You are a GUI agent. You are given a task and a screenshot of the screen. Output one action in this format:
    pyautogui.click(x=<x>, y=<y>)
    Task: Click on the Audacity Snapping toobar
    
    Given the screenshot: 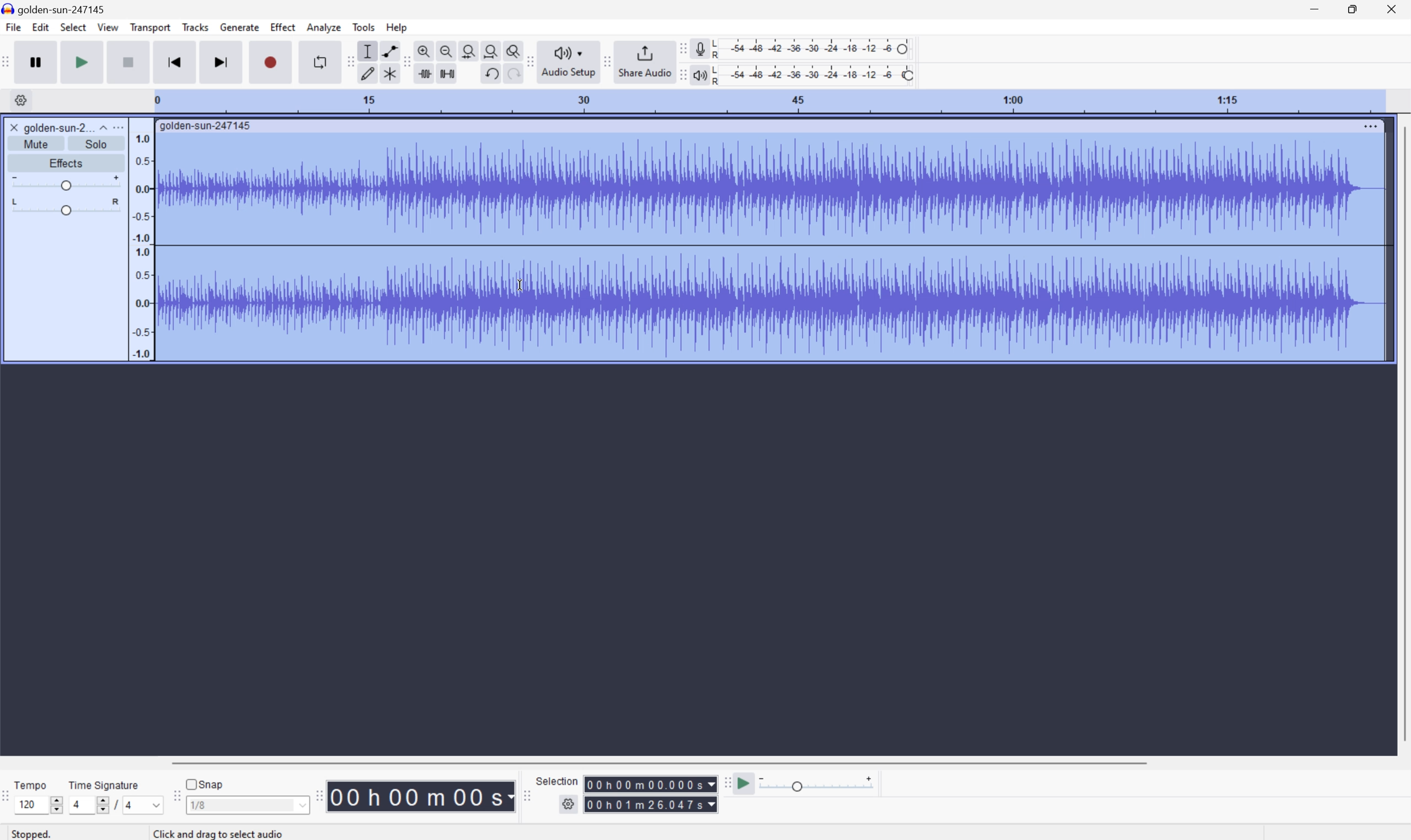 What is the action you would take?
    pyautogui.click(x=174, y=797)
    